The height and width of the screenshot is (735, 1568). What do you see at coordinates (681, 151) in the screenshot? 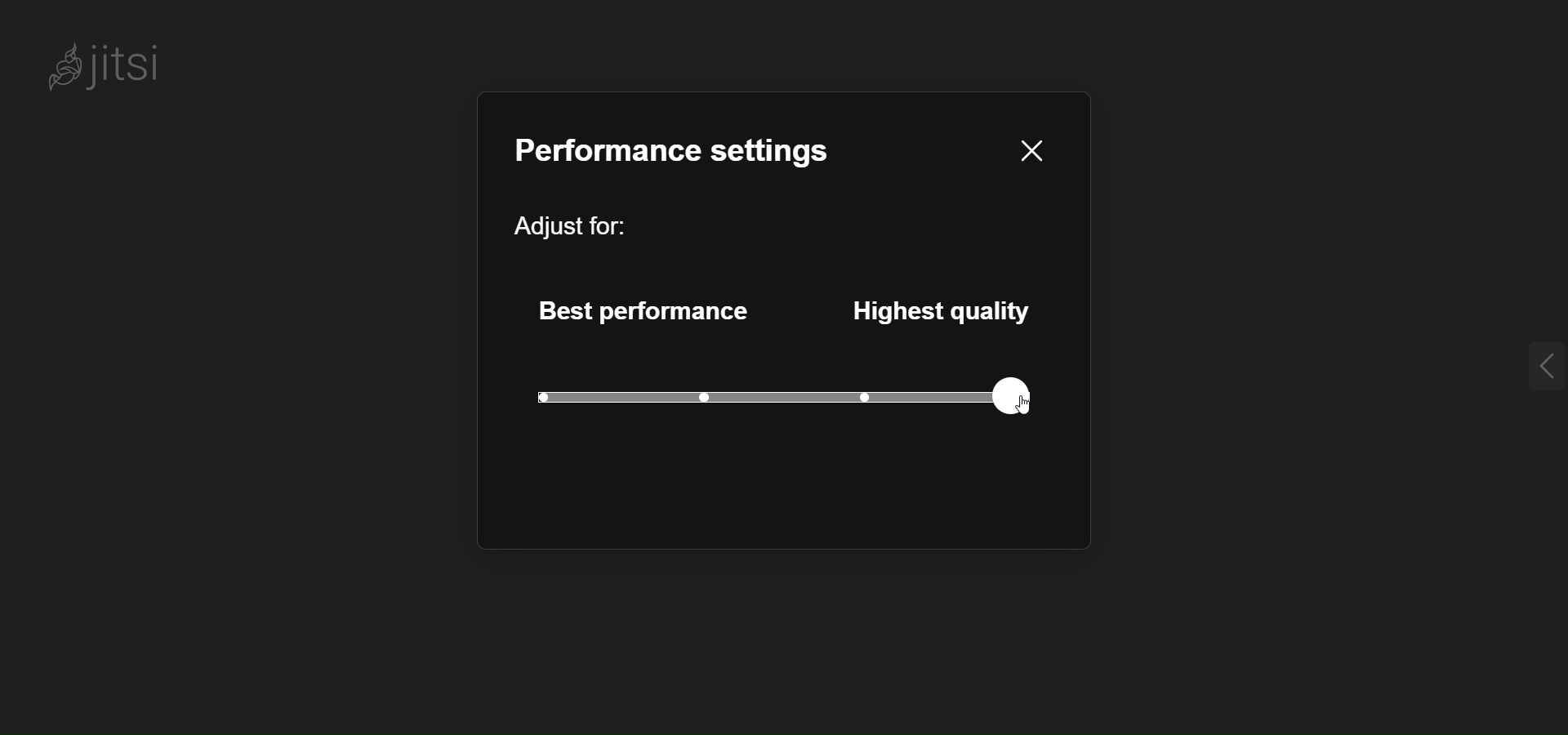
I see `performance setting` at bounding box center [681, 151].